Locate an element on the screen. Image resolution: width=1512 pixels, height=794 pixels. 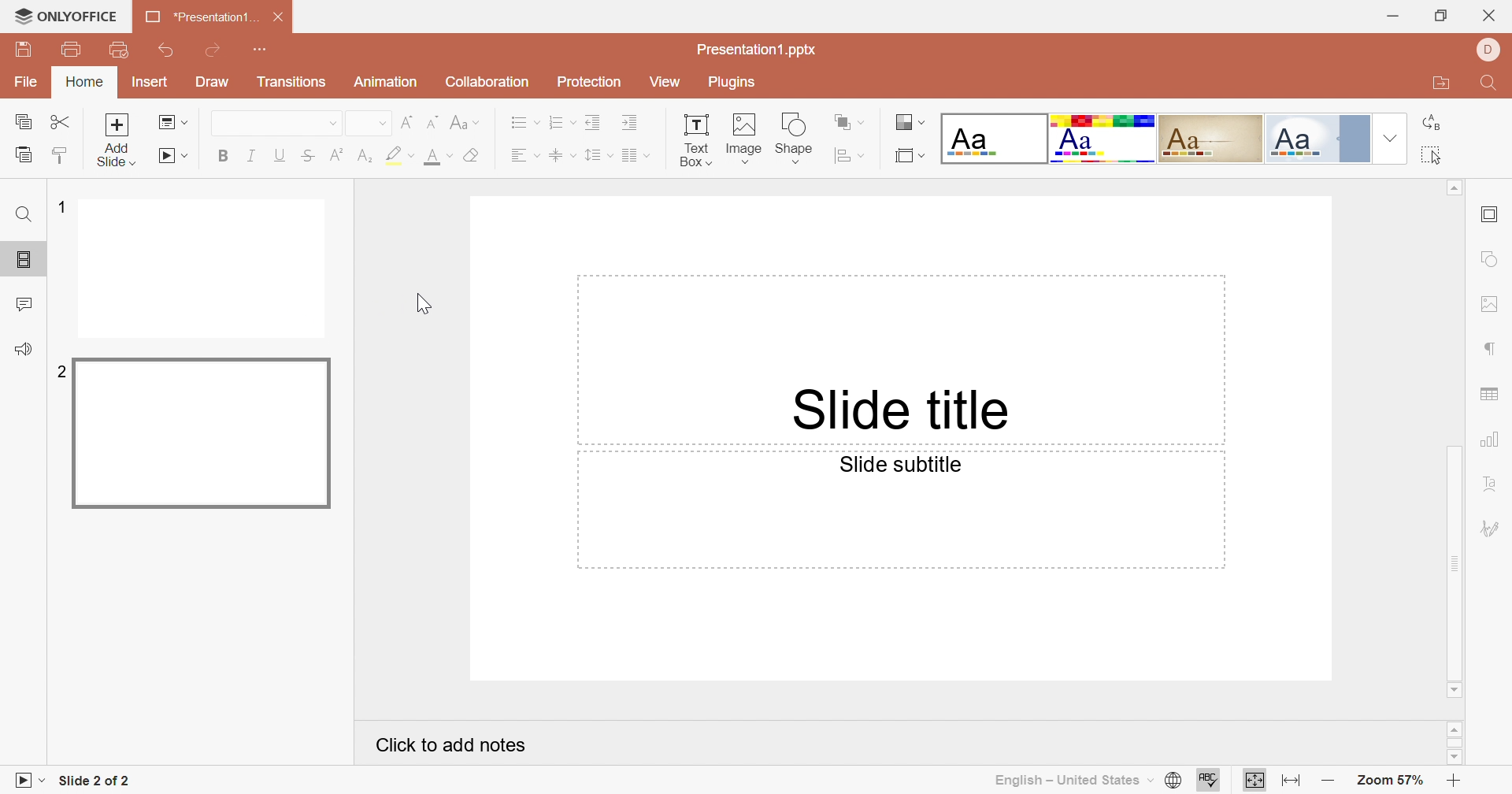
Set document language is located at coordinates (1175, 781).